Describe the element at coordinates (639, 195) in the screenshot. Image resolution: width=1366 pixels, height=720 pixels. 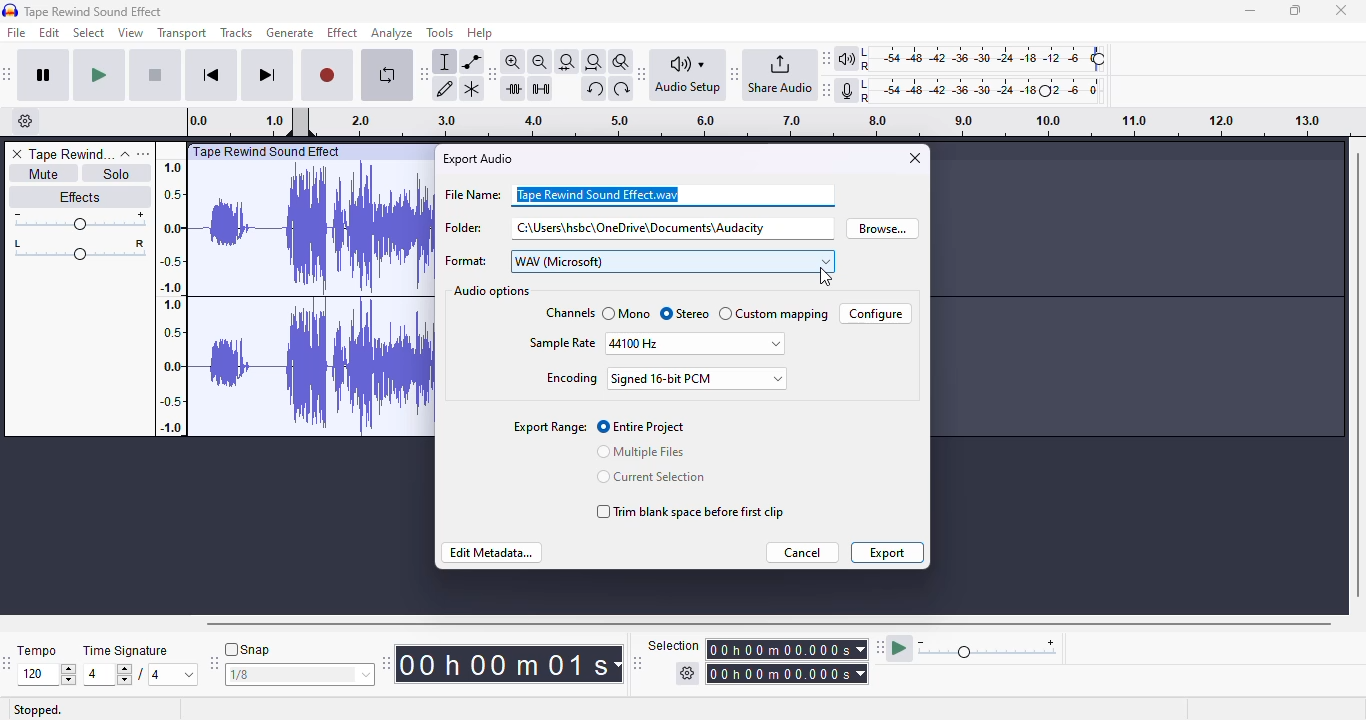
I see `file name` at that location.